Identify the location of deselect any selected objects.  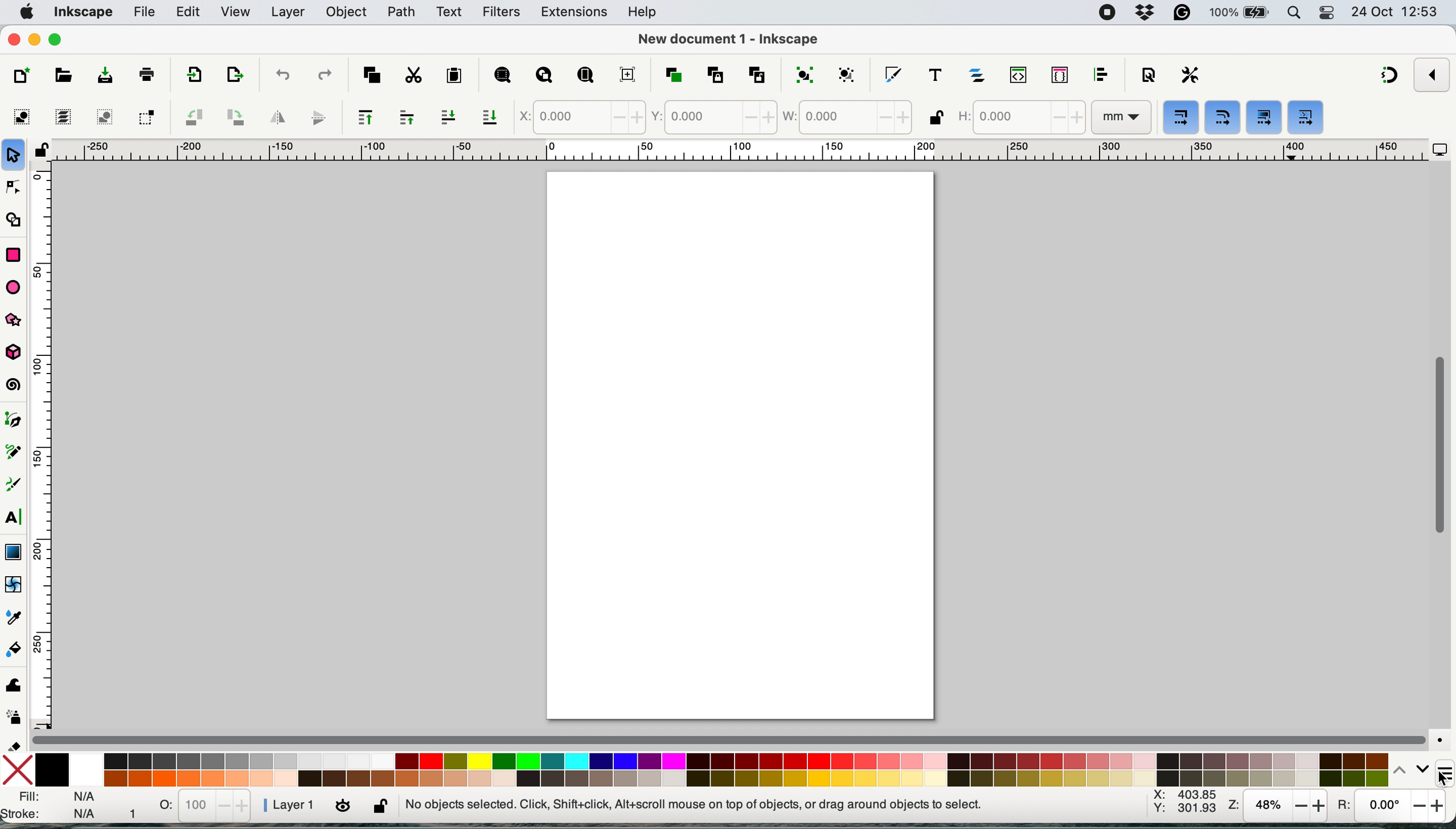
(105, 118).